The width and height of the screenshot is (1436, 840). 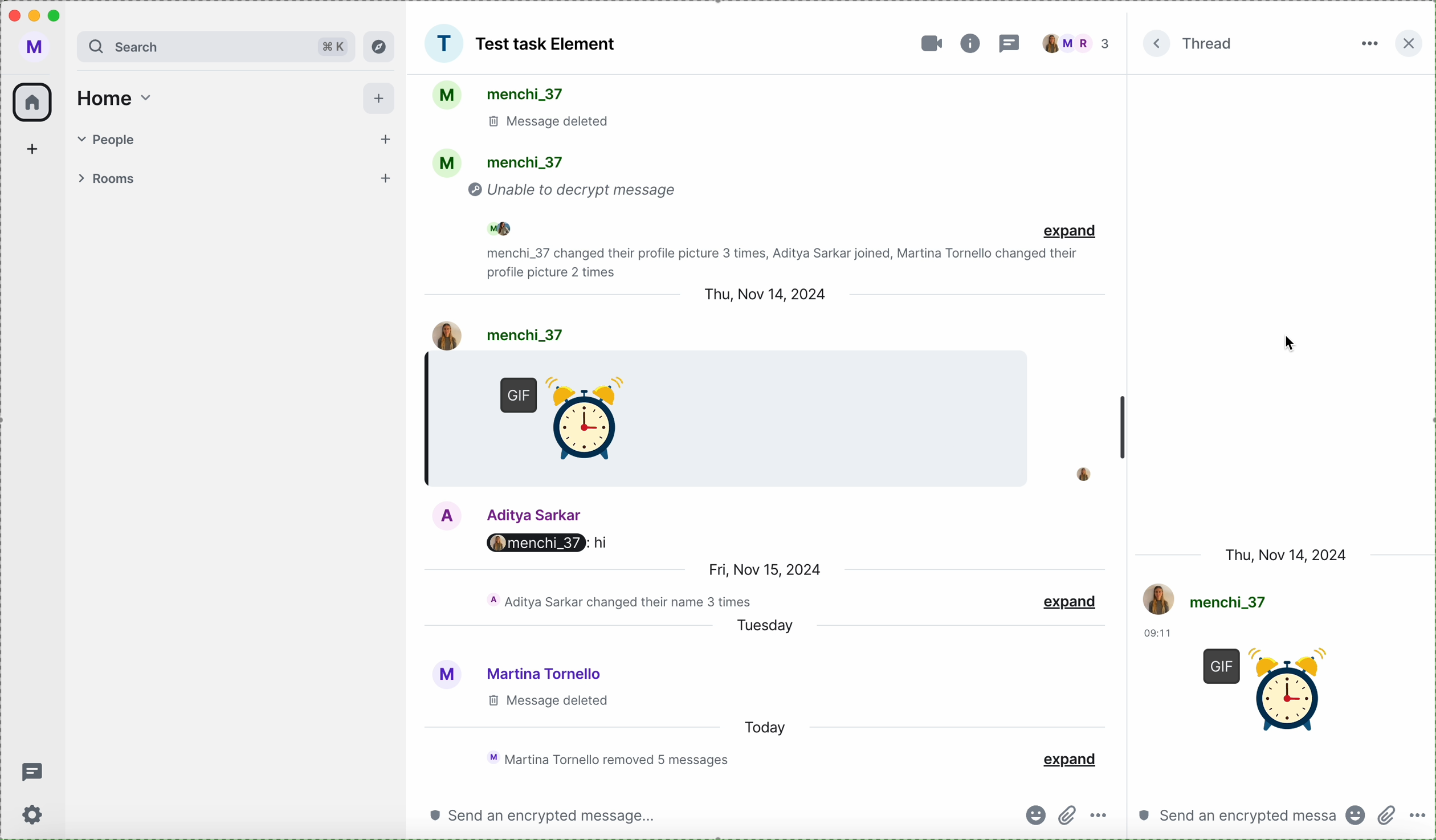 I want to click on threads, so click(x=32, y=774).